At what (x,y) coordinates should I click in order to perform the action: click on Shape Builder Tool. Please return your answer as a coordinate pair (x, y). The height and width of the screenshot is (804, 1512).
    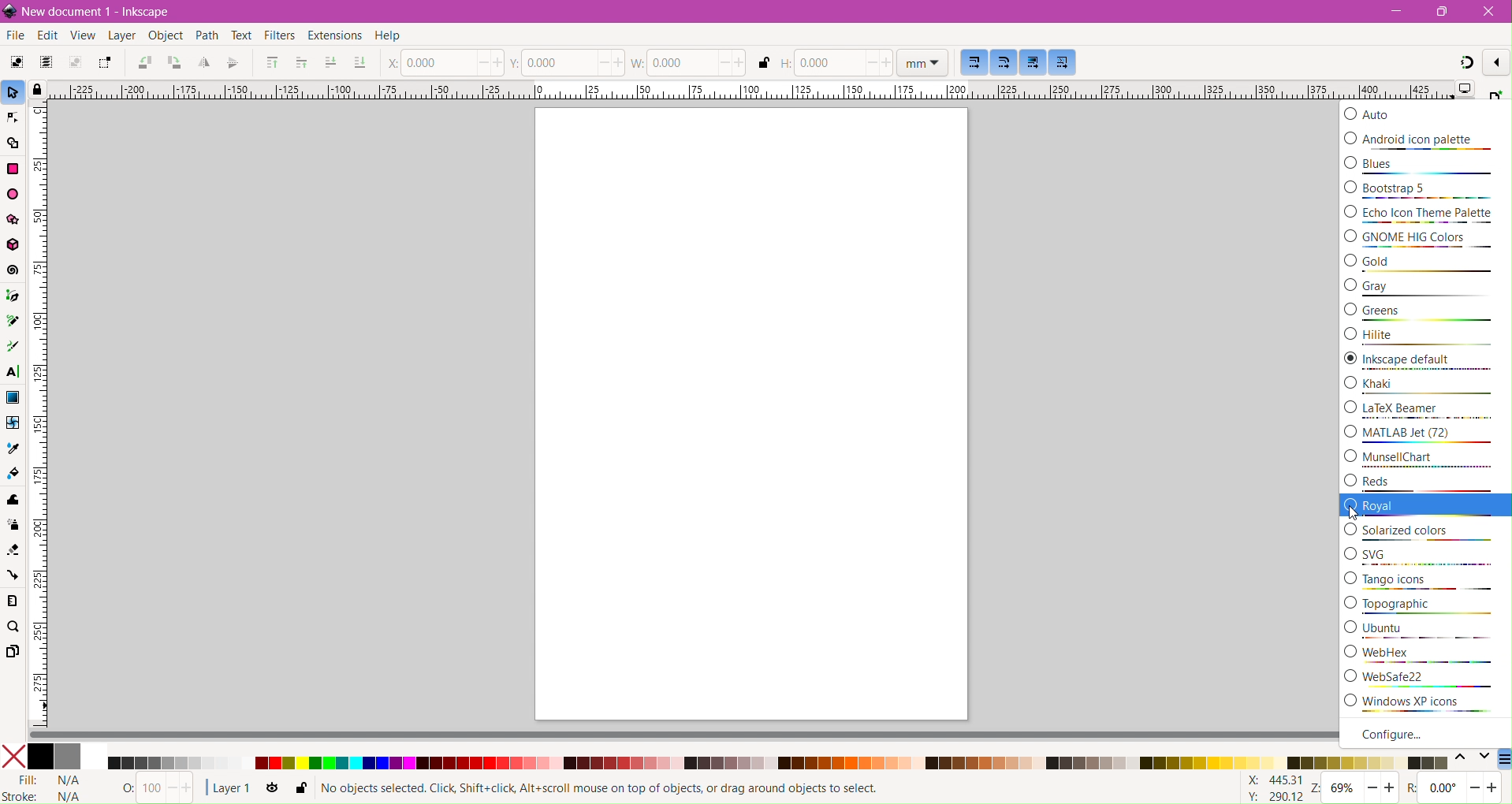
    Looking at the image, I should click on (13, 144).